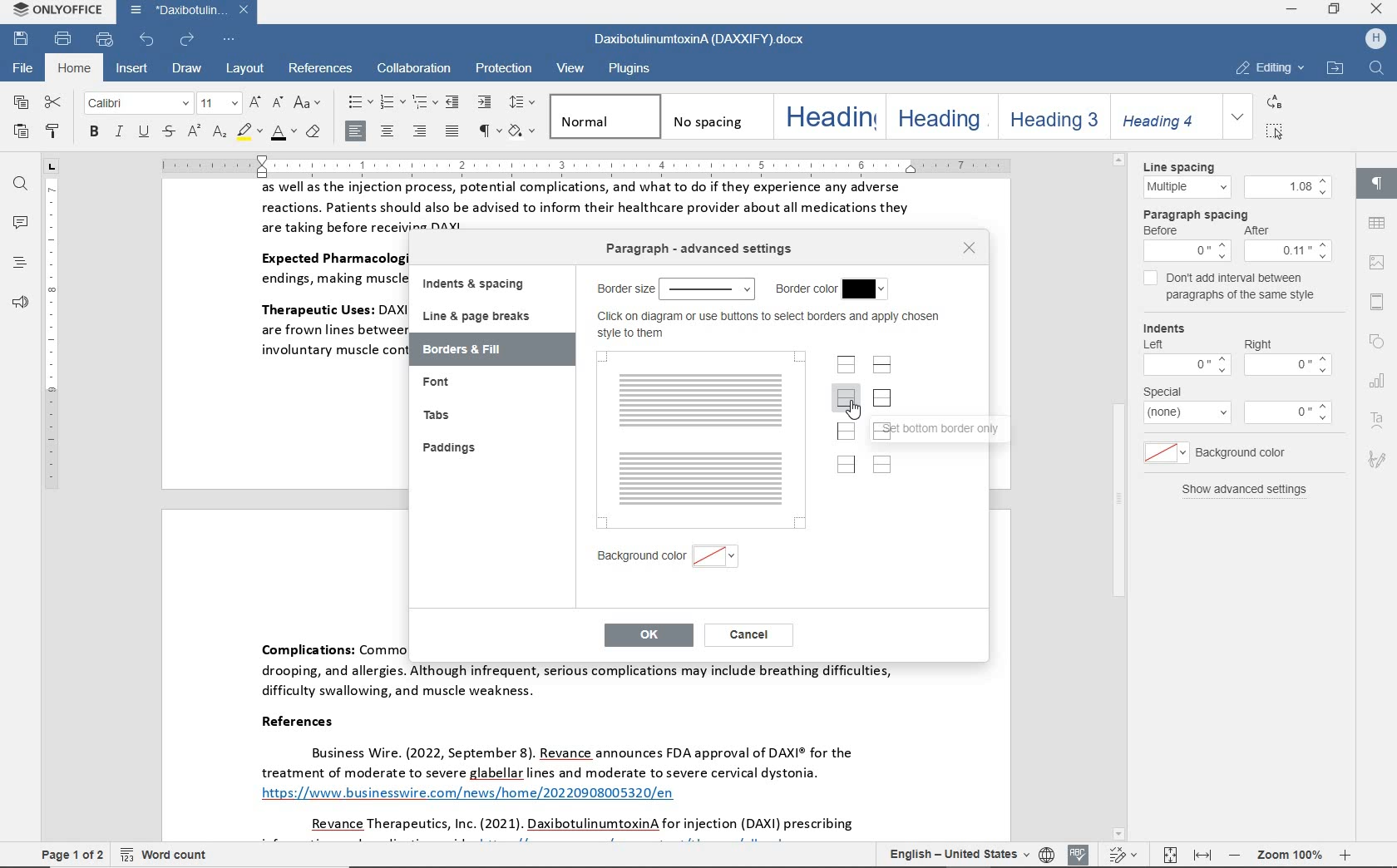 The height and width of the screenshot is (868, 1397). Describe the element at coordinates (668, 555) in the screenshot. I see `background color` at that location.